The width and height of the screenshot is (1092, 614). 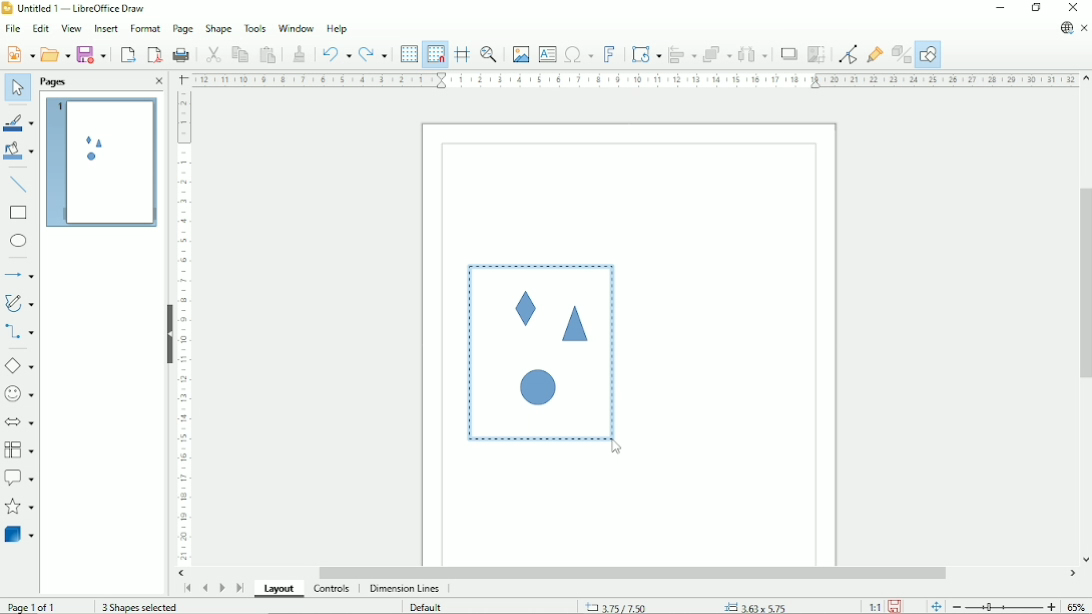 I want to click on Zoom out/in, so click(x=1003, y=607).